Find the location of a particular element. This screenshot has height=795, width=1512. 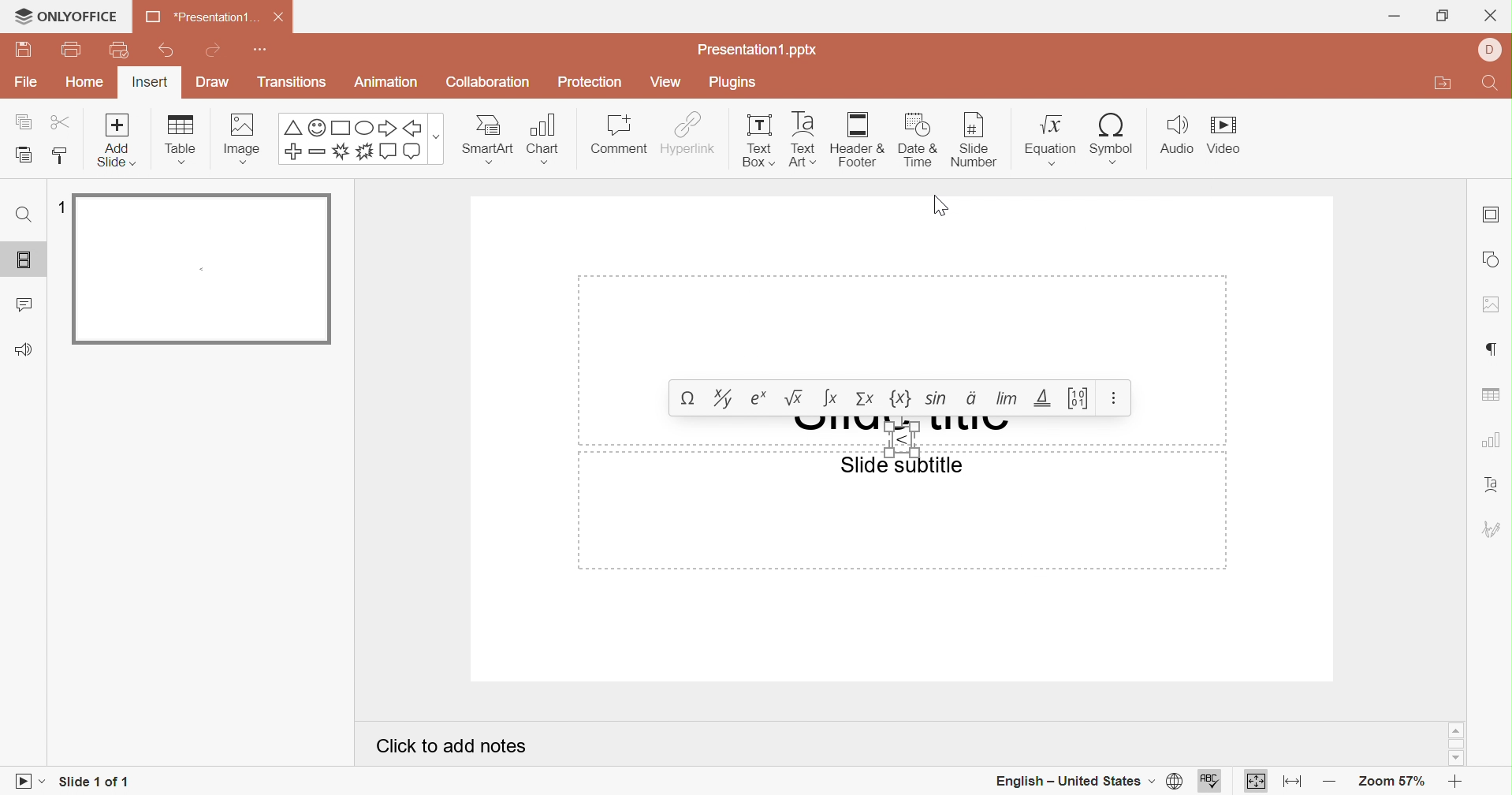

Fit to width is located at coordinates (1292, 784).